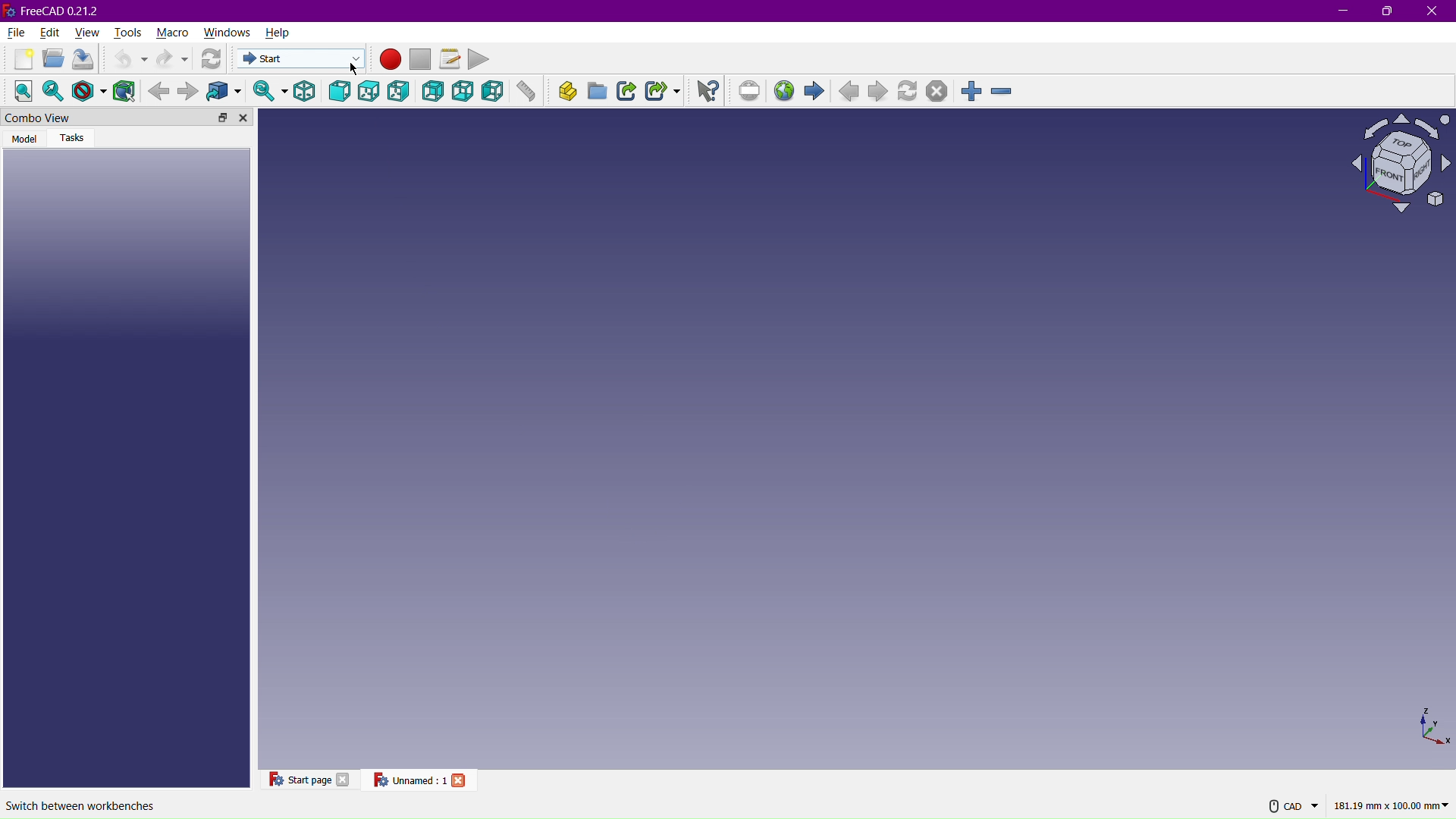 This screenshot has height=819, width=1456. Describe the element at coordinates (223, 118) in the screenshot. I see `floating tab` at that location.